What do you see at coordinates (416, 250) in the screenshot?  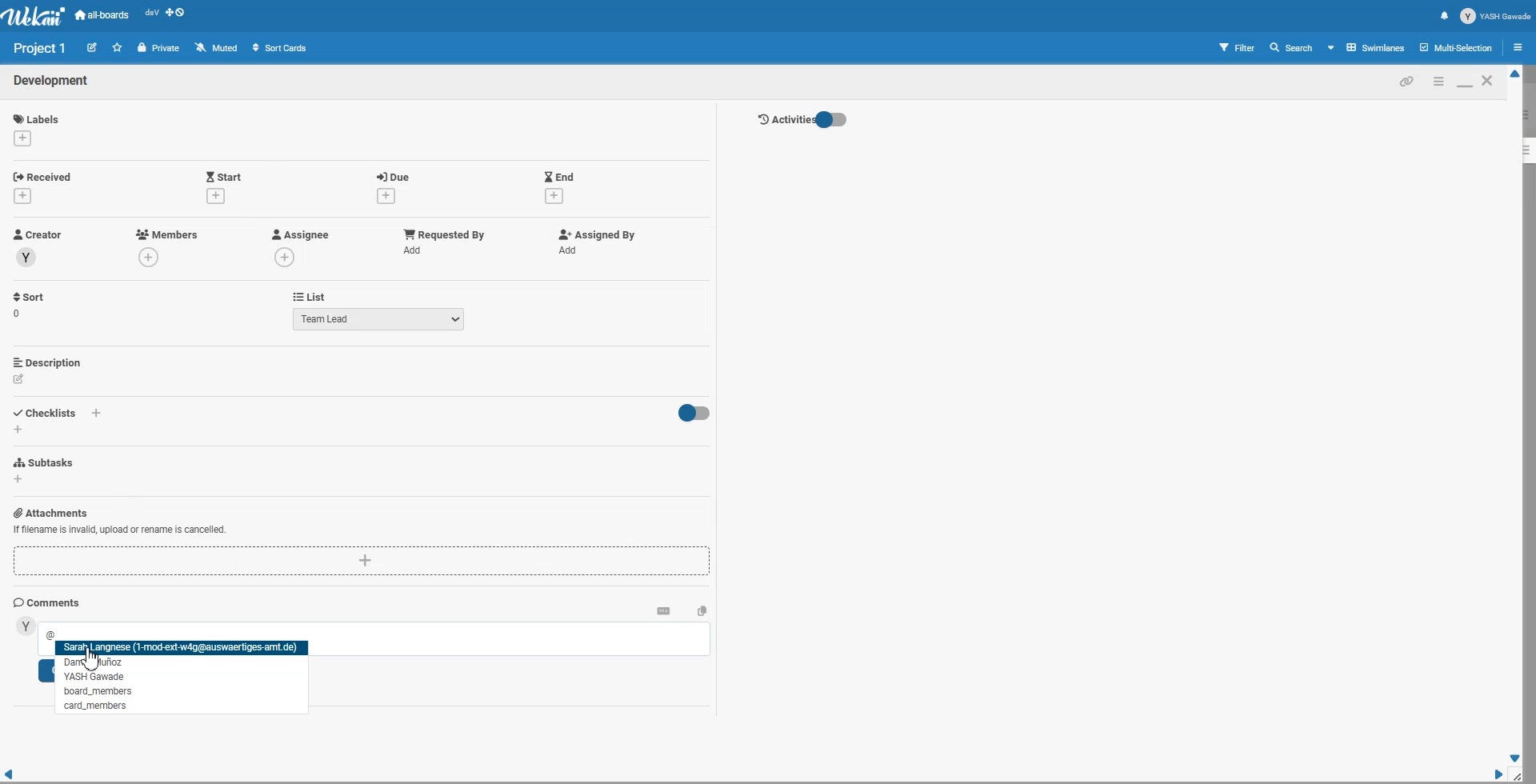 I see `add` at bounding box center [416, 250].